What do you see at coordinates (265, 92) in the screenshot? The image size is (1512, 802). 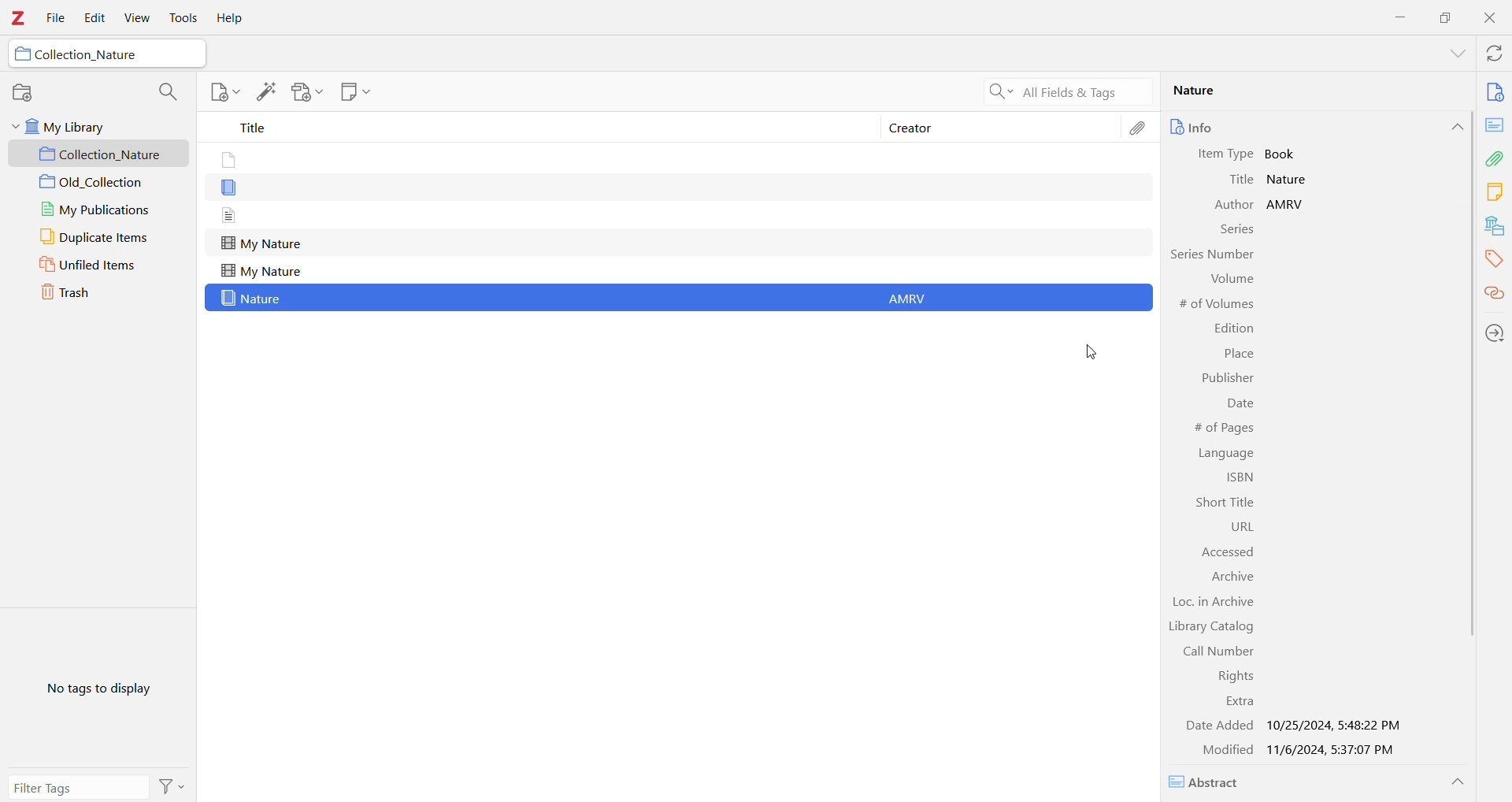 I see `Add item(s) by identifier` at bounding box center [265, 92].